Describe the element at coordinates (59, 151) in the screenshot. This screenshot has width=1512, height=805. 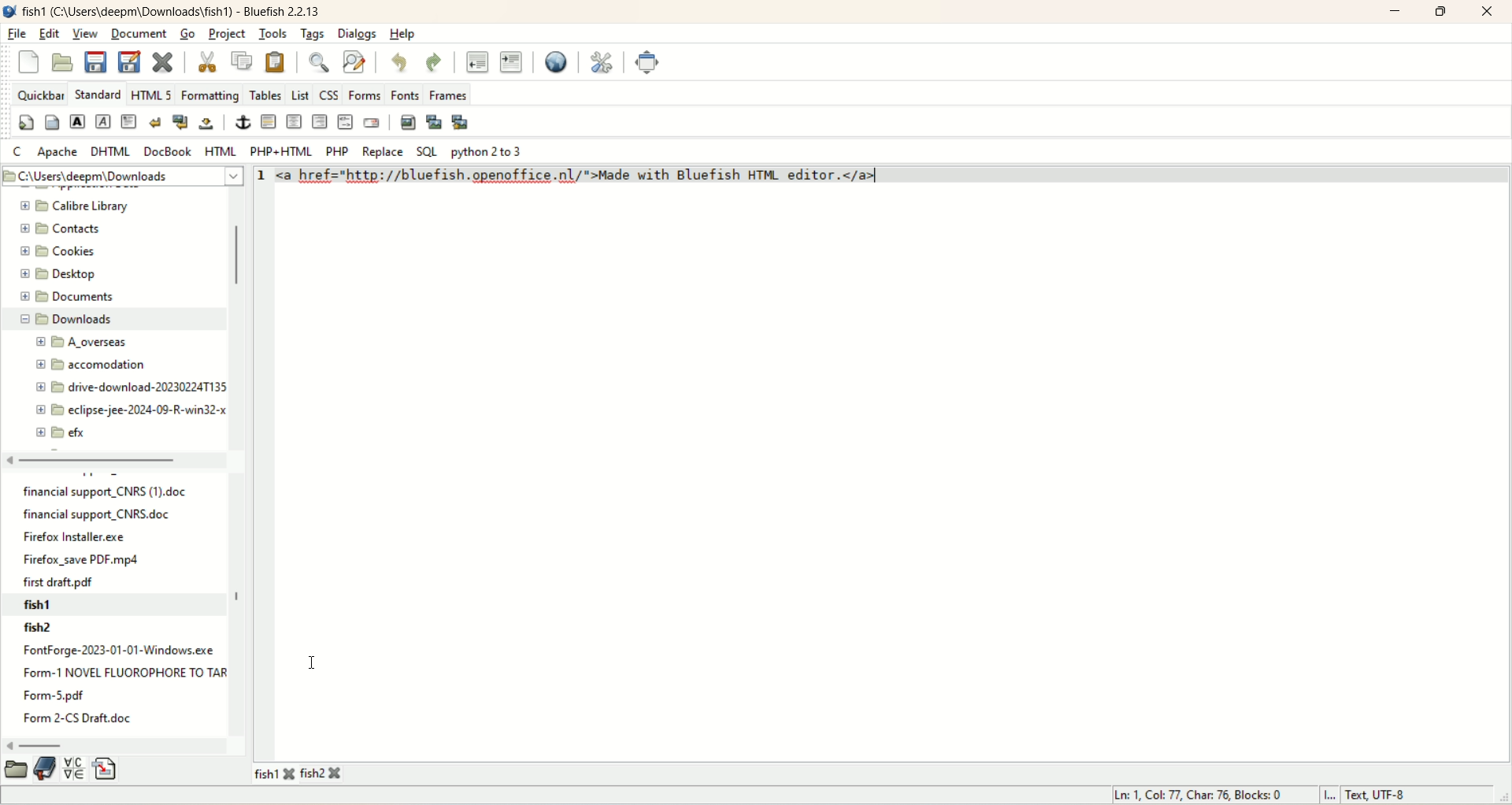
I see `Apache` at that location.